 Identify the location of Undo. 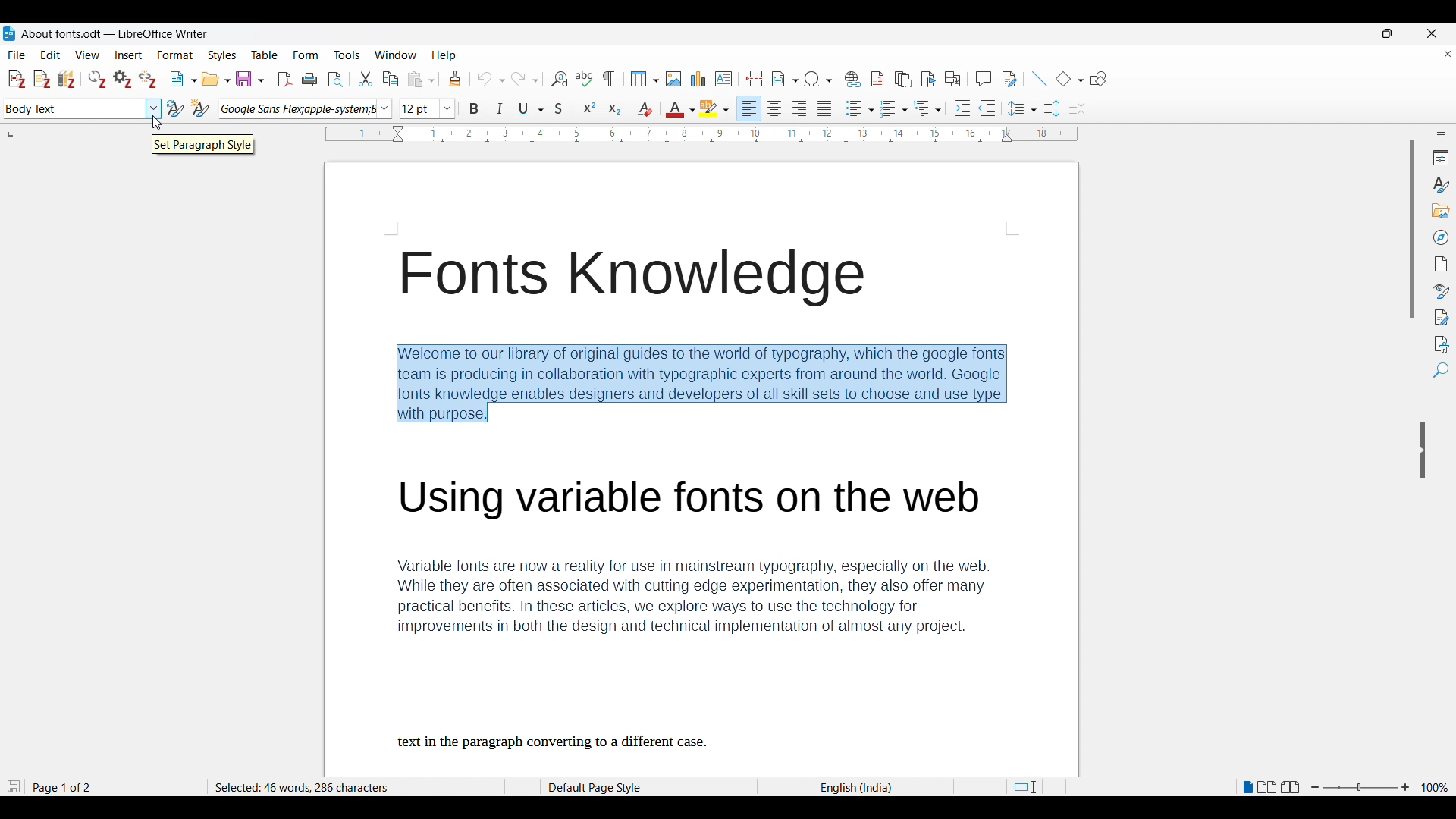
(491, 79).